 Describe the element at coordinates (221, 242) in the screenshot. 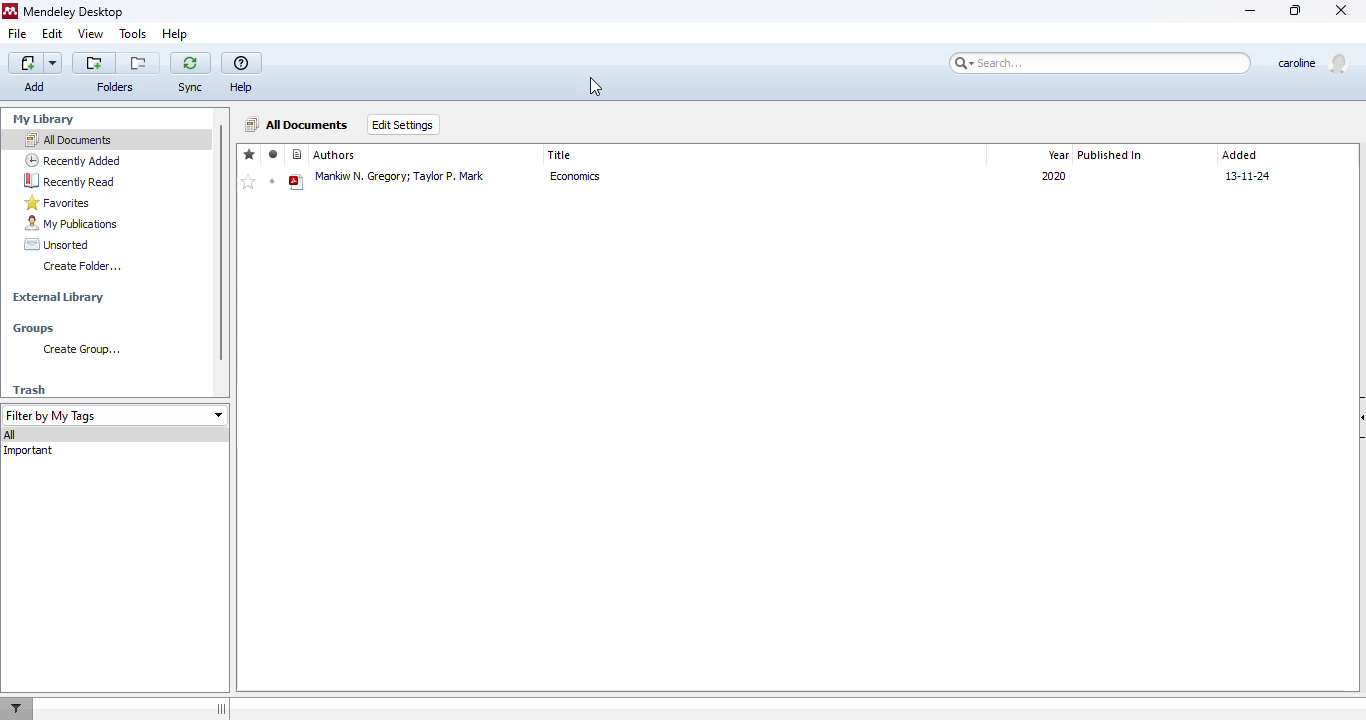

I see `vertical scroll bar` at that location.